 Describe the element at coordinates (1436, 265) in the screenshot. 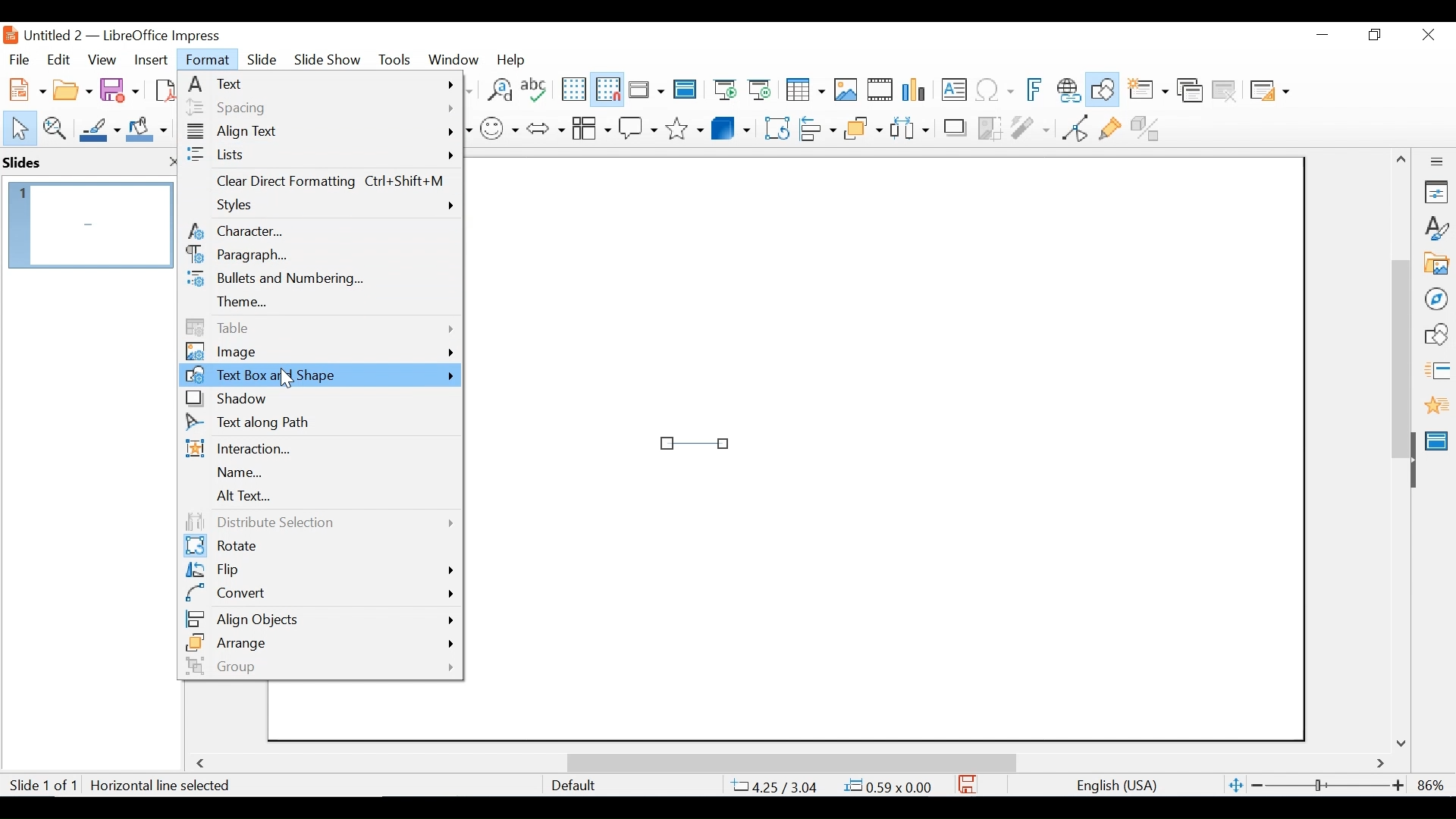

I see `Galler` at that location.